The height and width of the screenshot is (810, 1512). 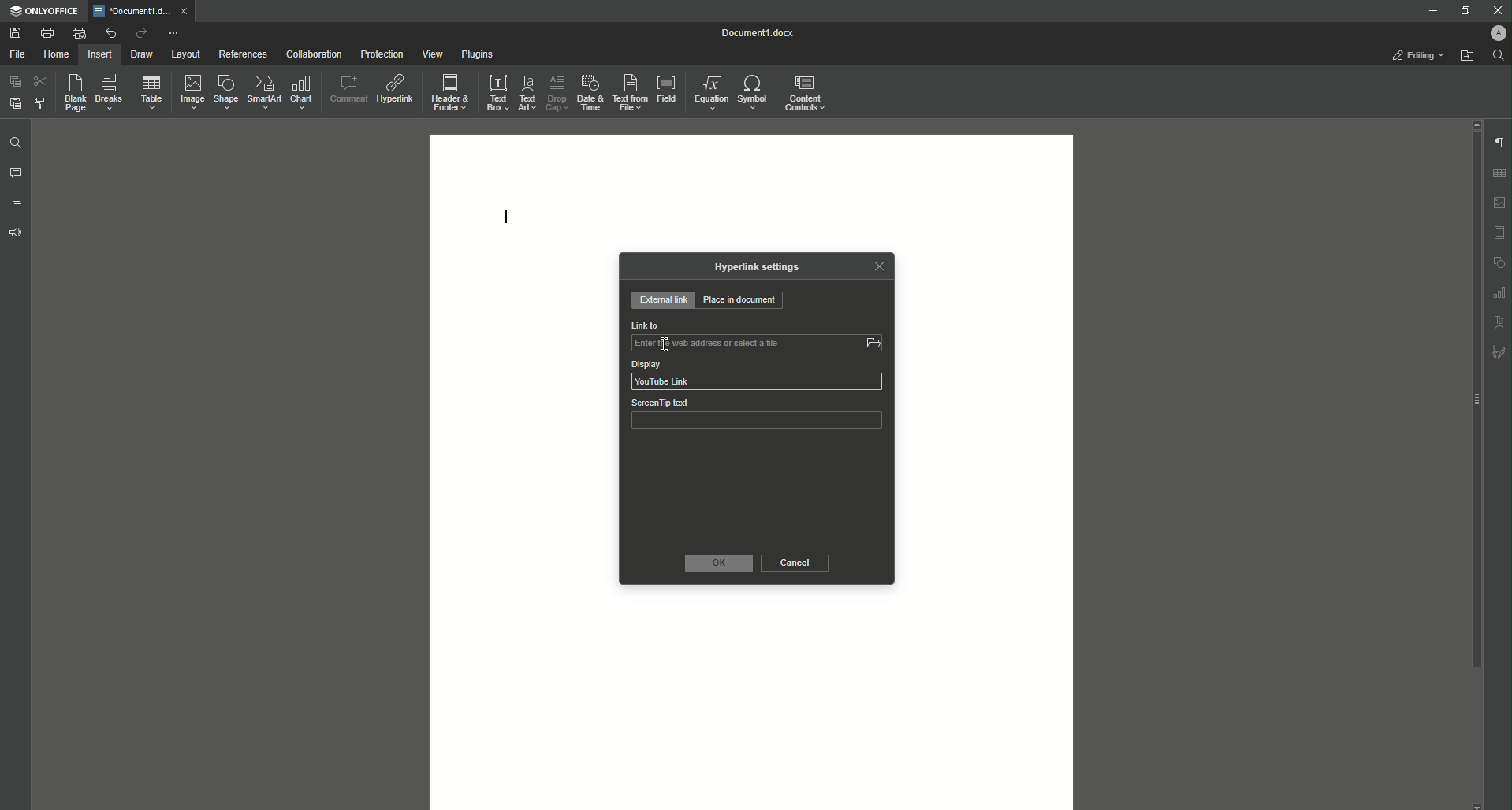 I want to click on Content Controls, so click(x=808, y=93).